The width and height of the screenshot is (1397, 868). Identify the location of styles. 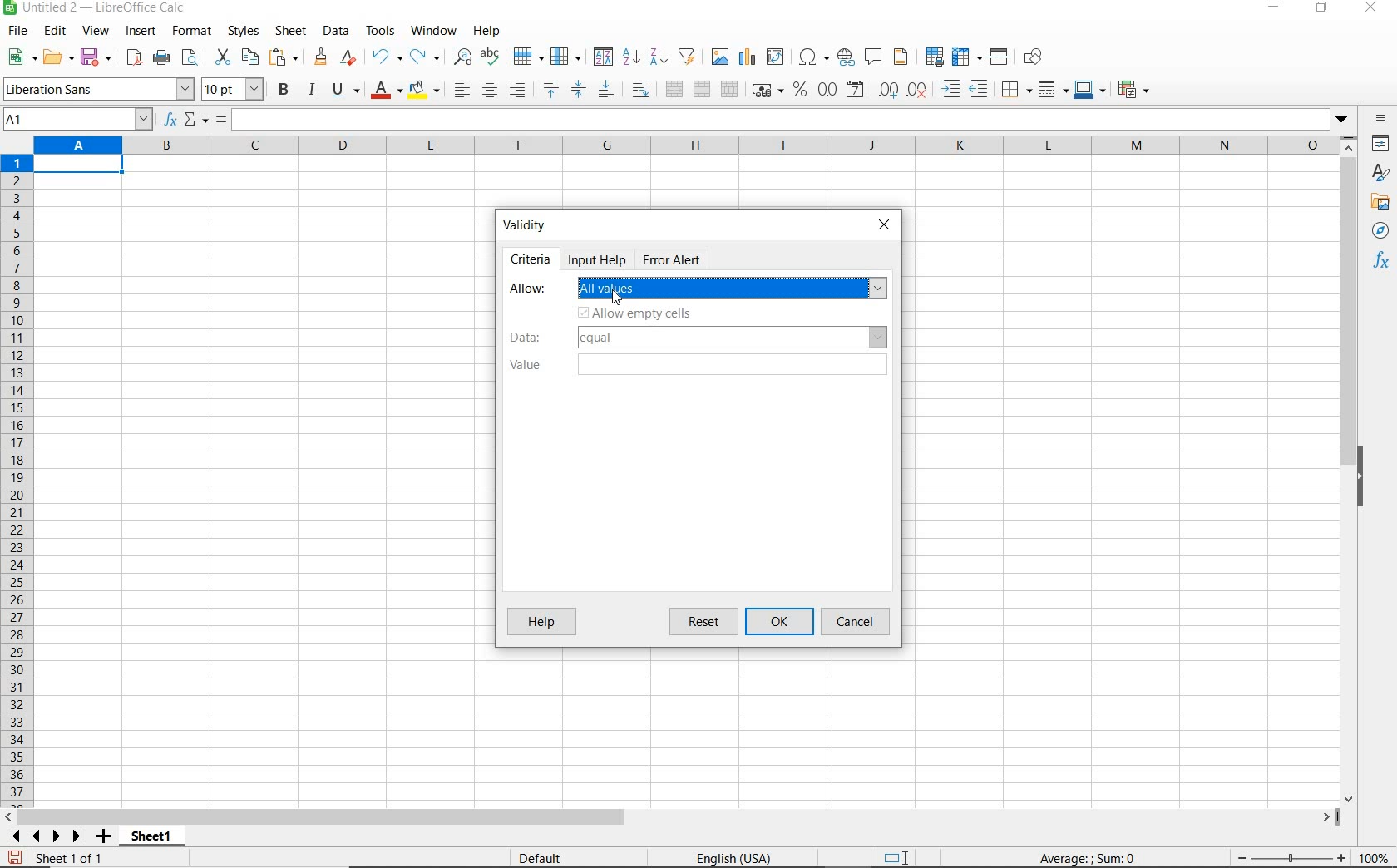
(1381, 175).